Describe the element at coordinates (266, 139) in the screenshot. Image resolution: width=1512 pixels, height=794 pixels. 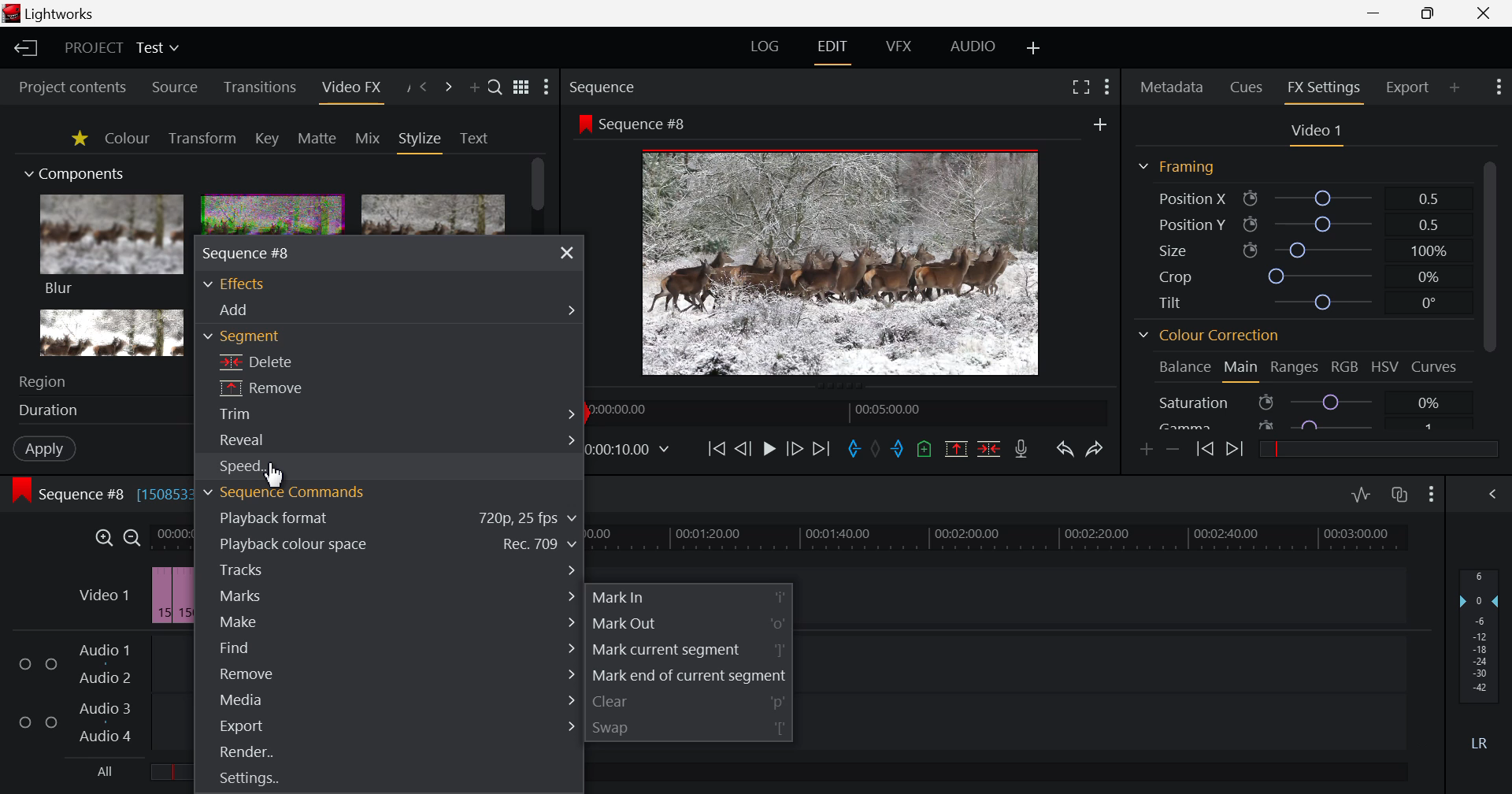
I see `Key` at that location.